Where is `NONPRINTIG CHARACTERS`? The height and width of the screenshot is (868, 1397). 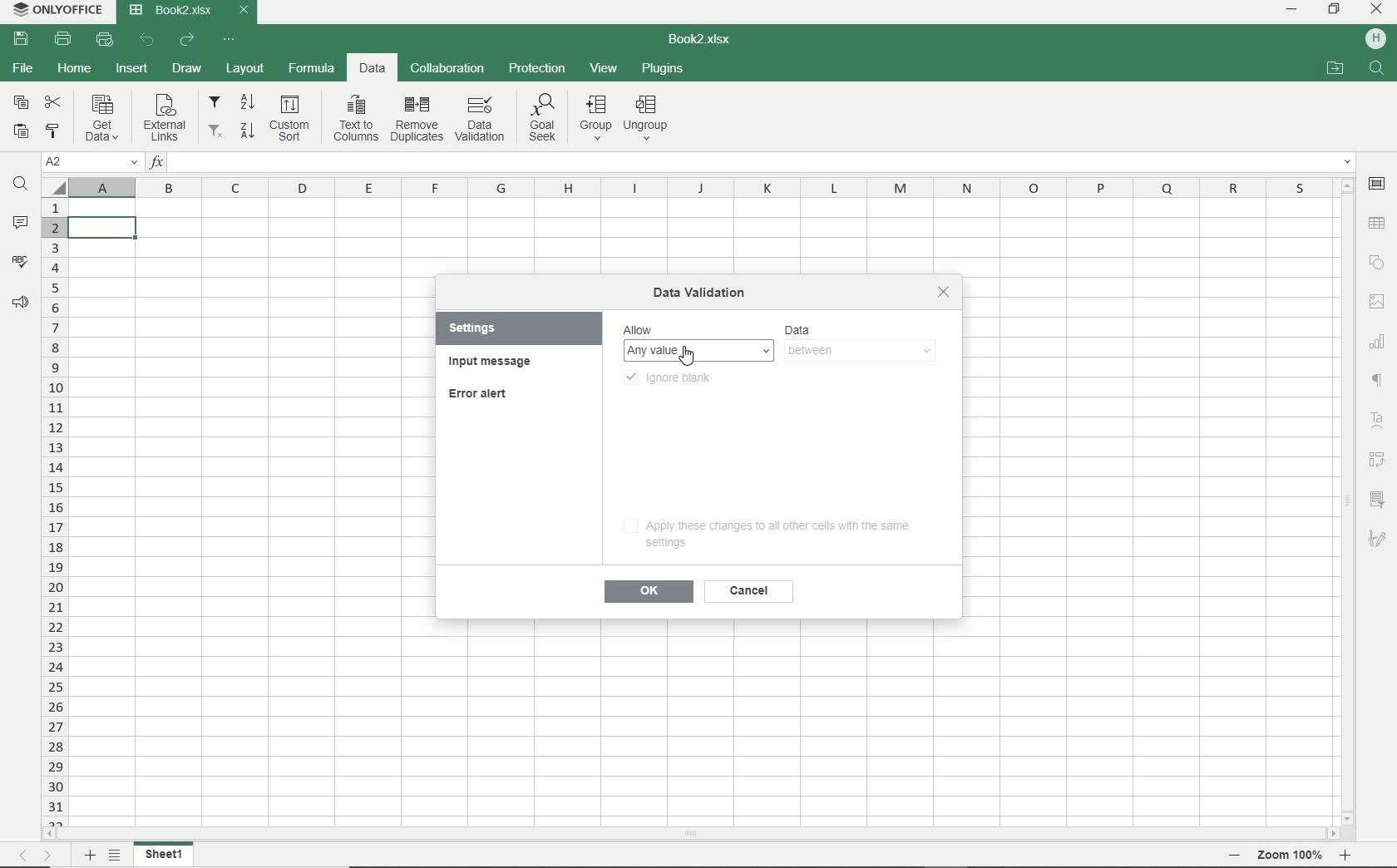 NONPRINTIG CHARACTERS is located at coordinates (1379, 382).